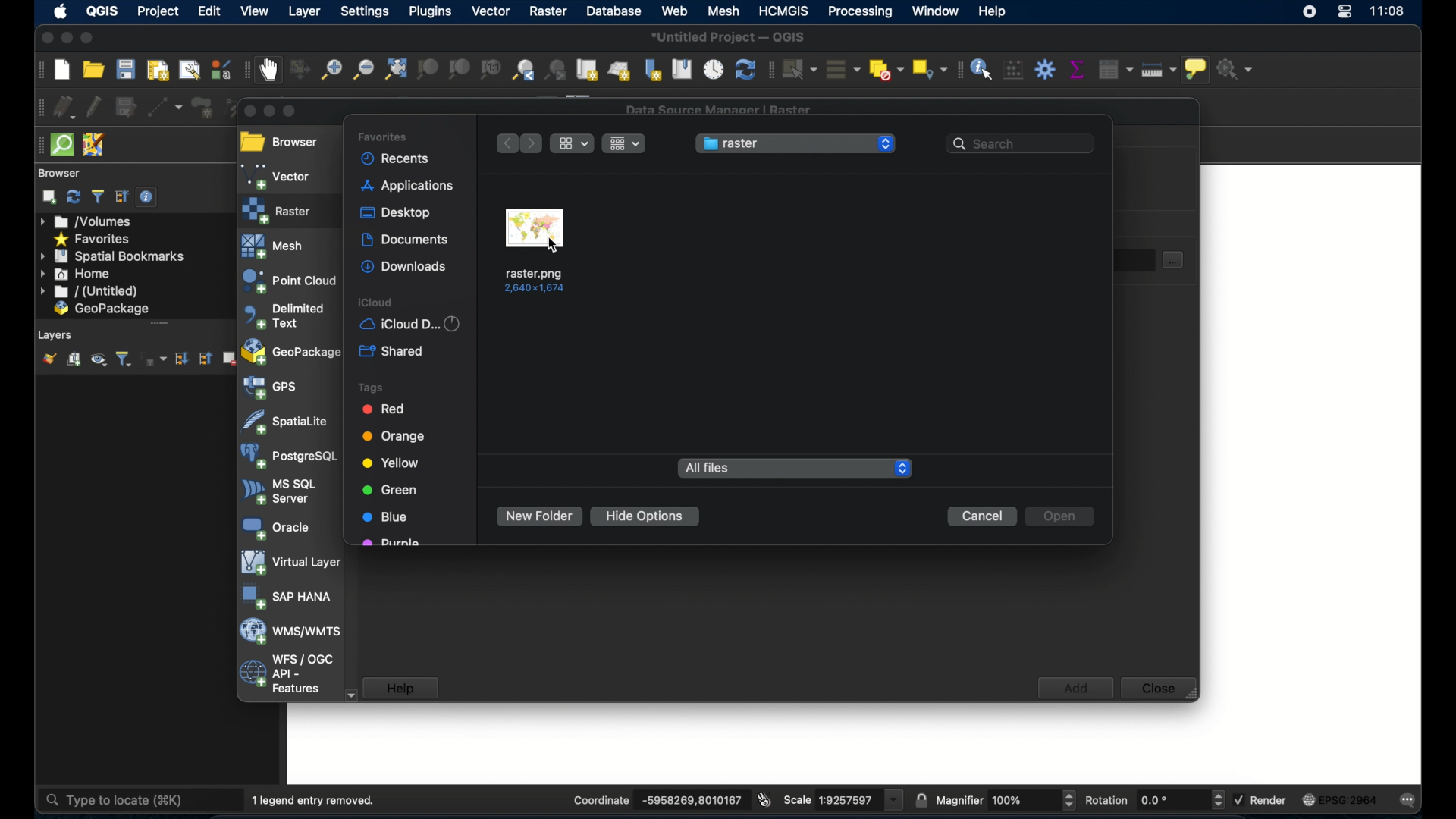 The width and height of the screenshot is (1456, 819). I want to click on documents, so click(408, 240).